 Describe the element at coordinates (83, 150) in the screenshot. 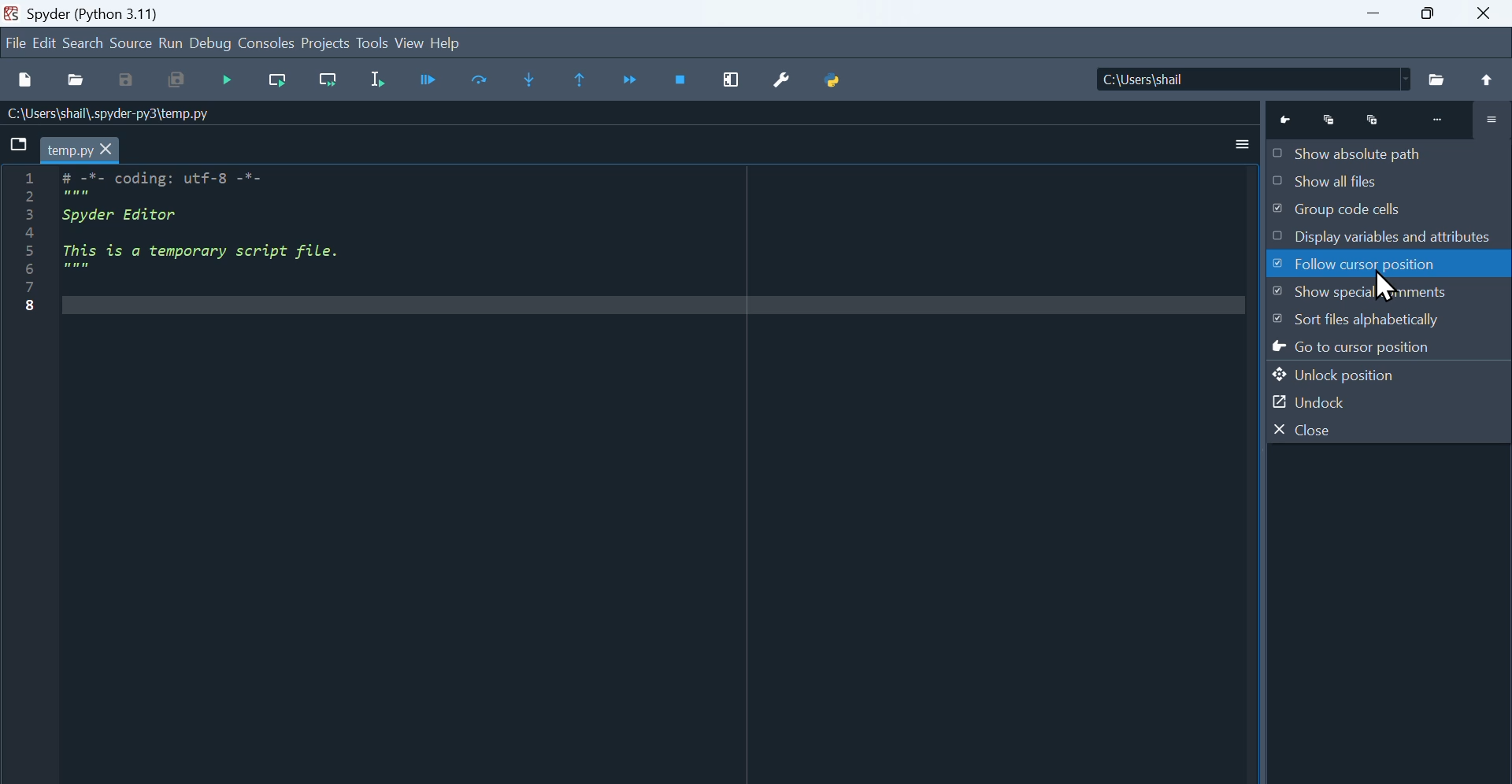

I see `temp.py` at that location.